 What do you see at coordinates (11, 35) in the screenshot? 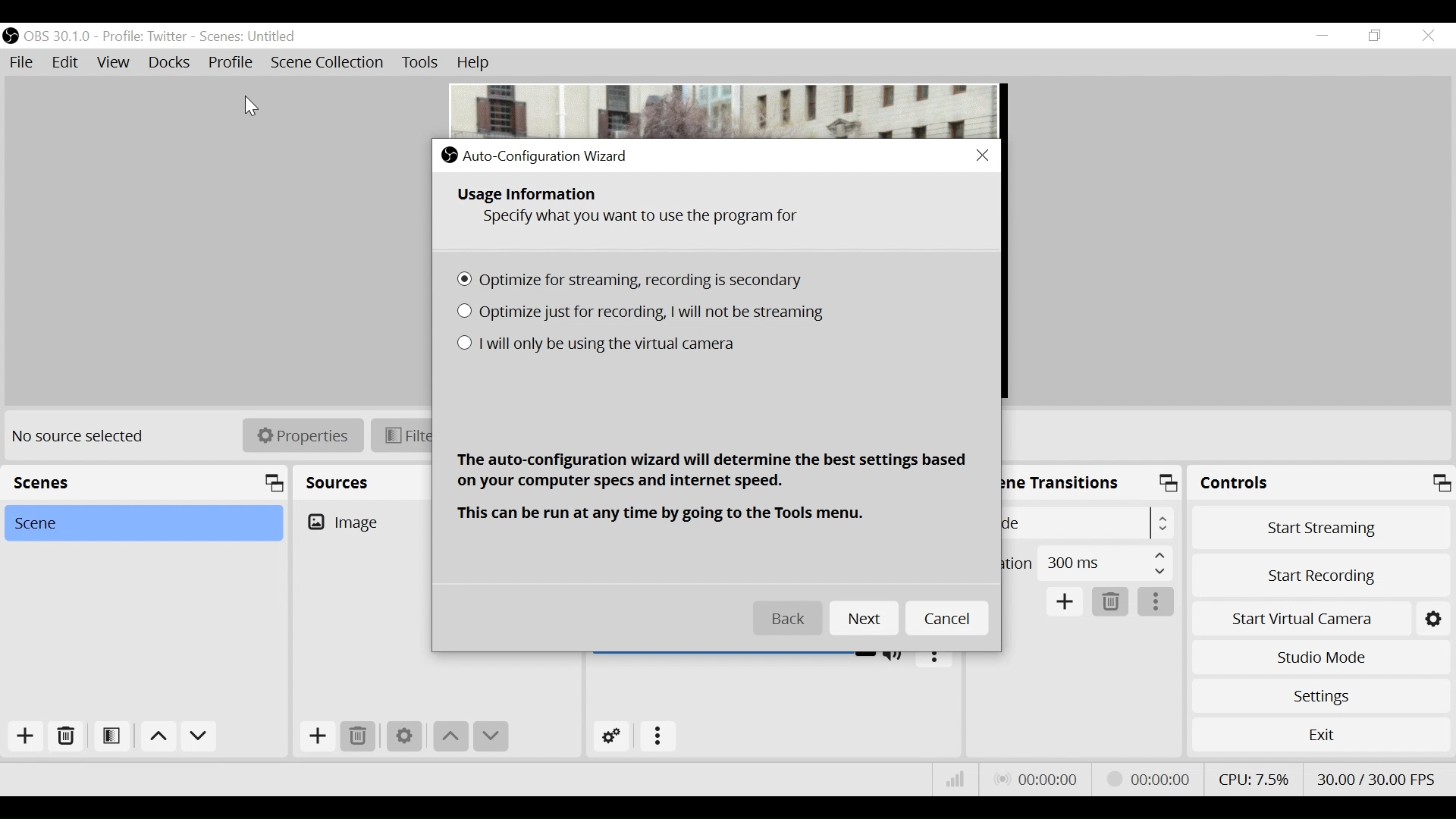
I see `OBS Studio Desktop Icon` at bounding box center [11, 35].